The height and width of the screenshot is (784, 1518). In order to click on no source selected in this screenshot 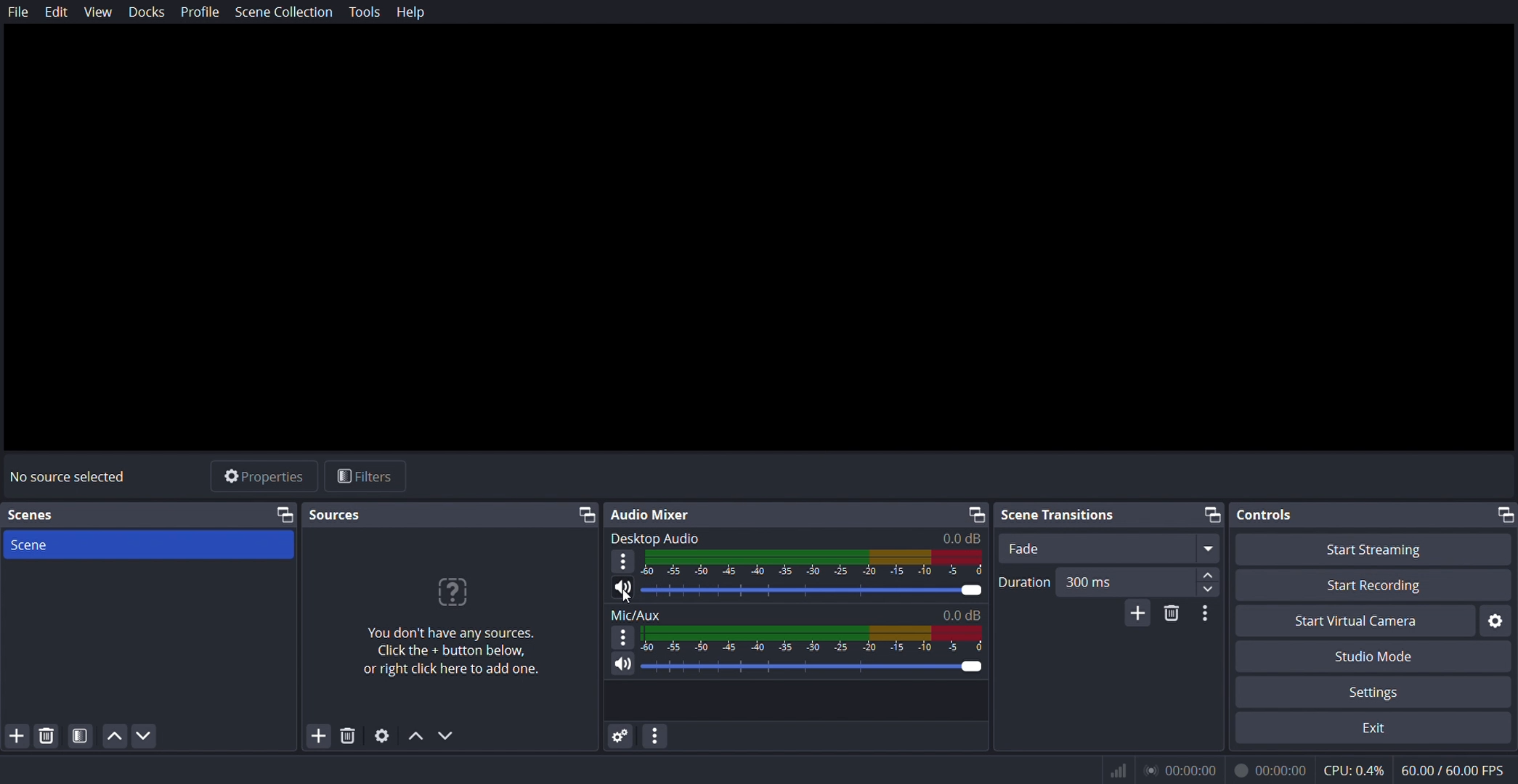, I will do `click(75, 474)`.